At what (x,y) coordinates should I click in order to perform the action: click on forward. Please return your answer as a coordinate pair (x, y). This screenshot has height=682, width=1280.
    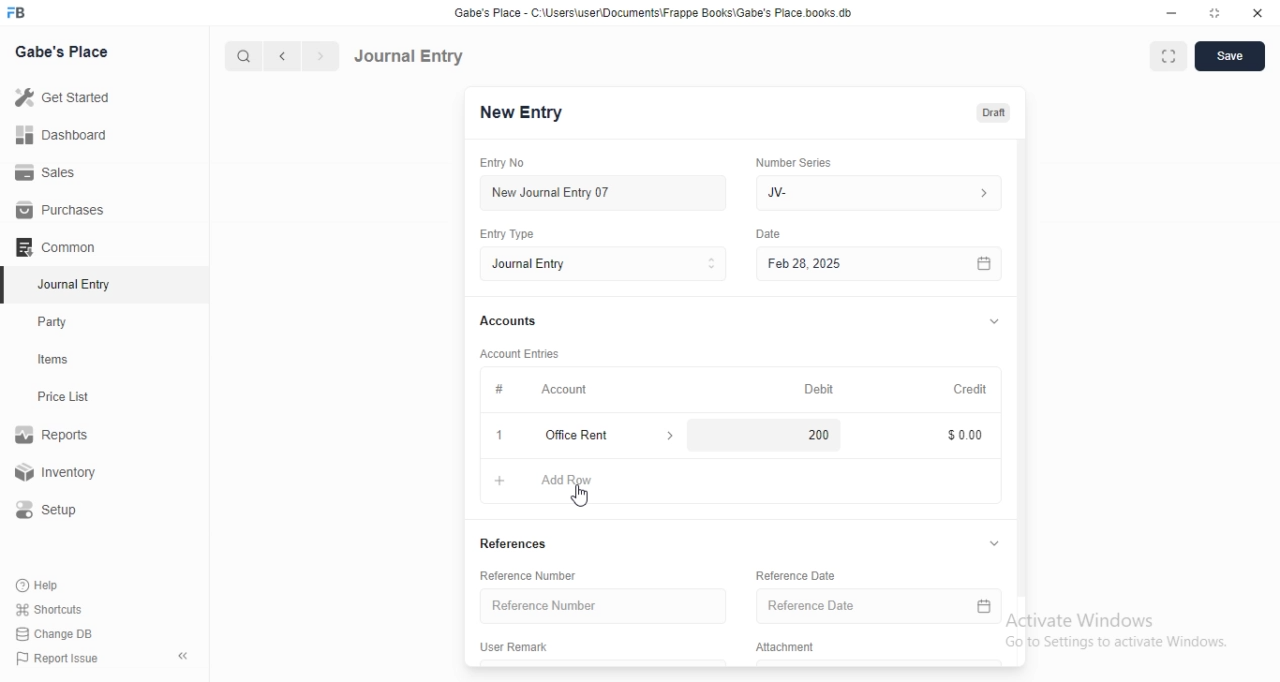
    Looking at the image, I should click on (322, 56).